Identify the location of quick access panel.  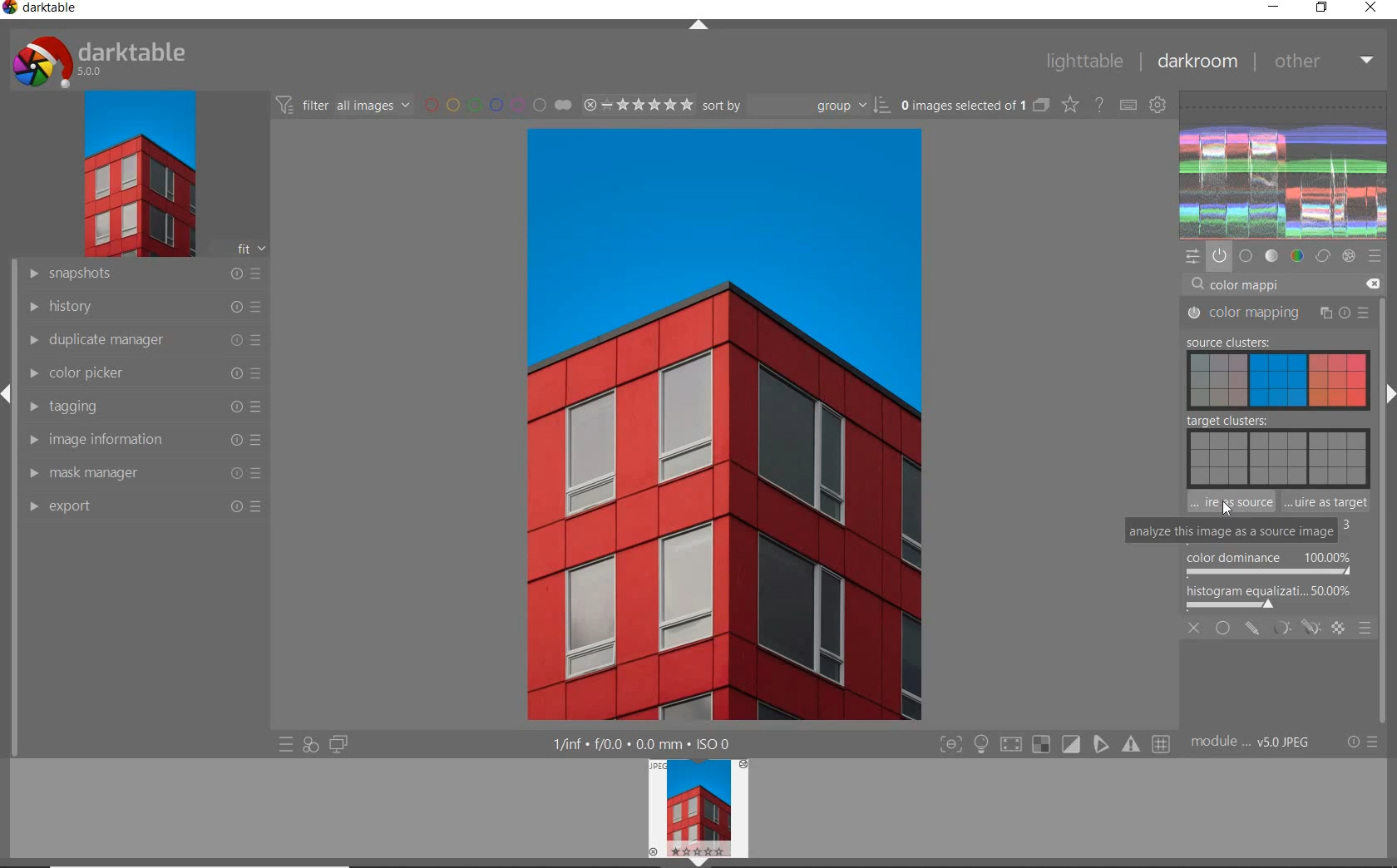
(1194, 256).